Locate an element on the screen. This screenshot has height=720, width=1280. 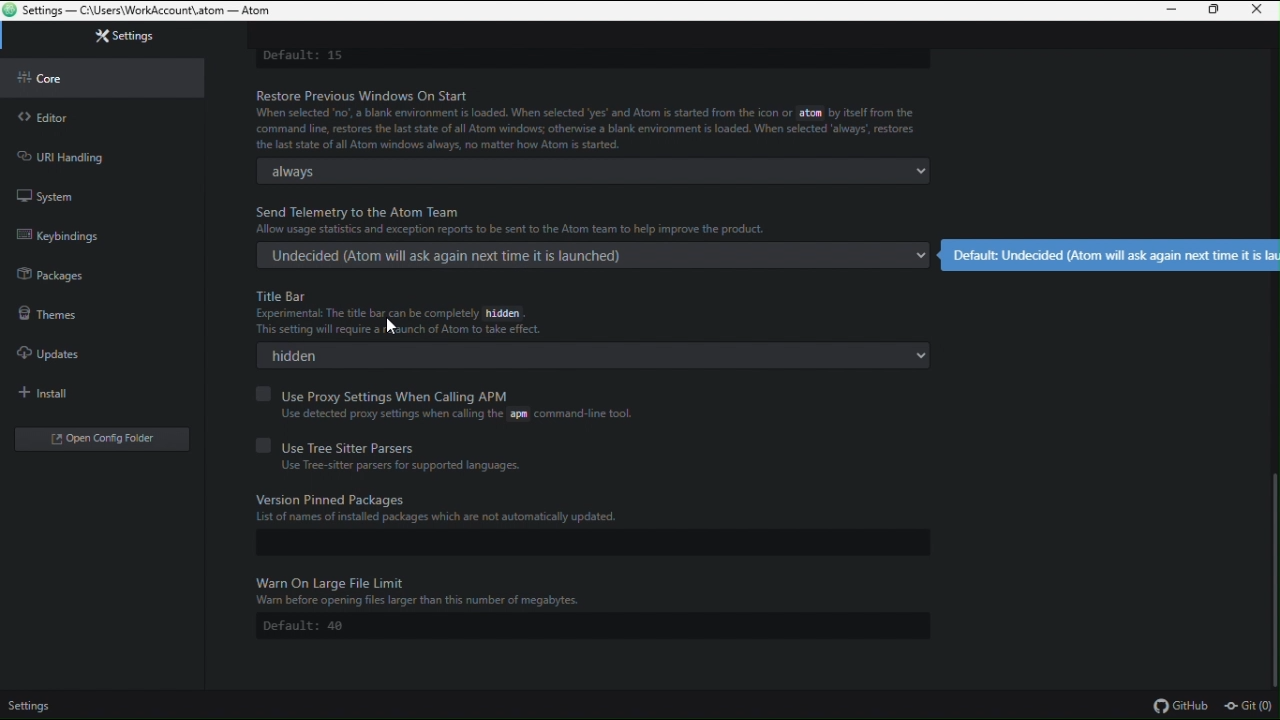
install is located at coordinates (93, 388).